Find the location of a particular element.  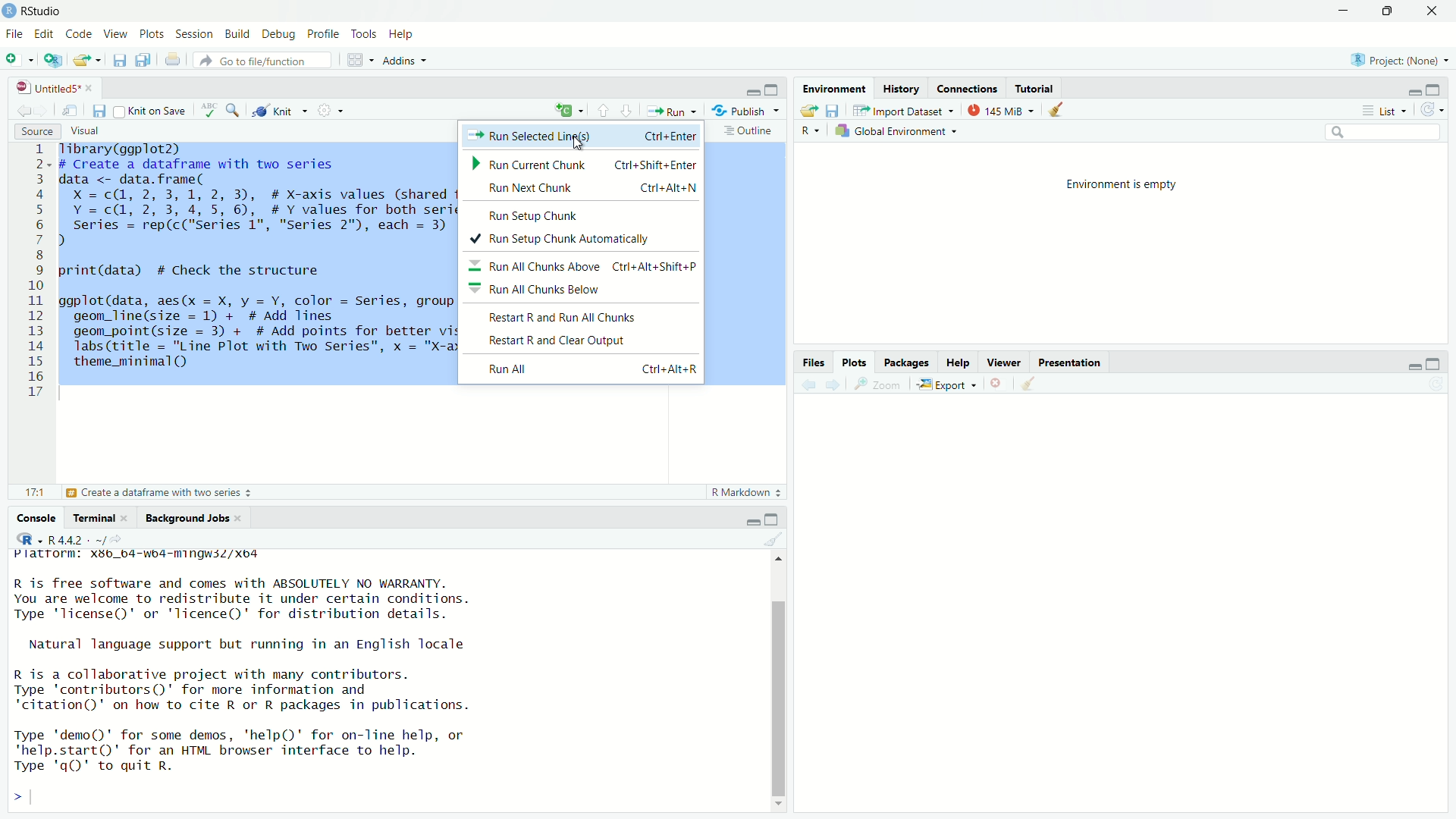

Source is located at coordinates (36, 132).